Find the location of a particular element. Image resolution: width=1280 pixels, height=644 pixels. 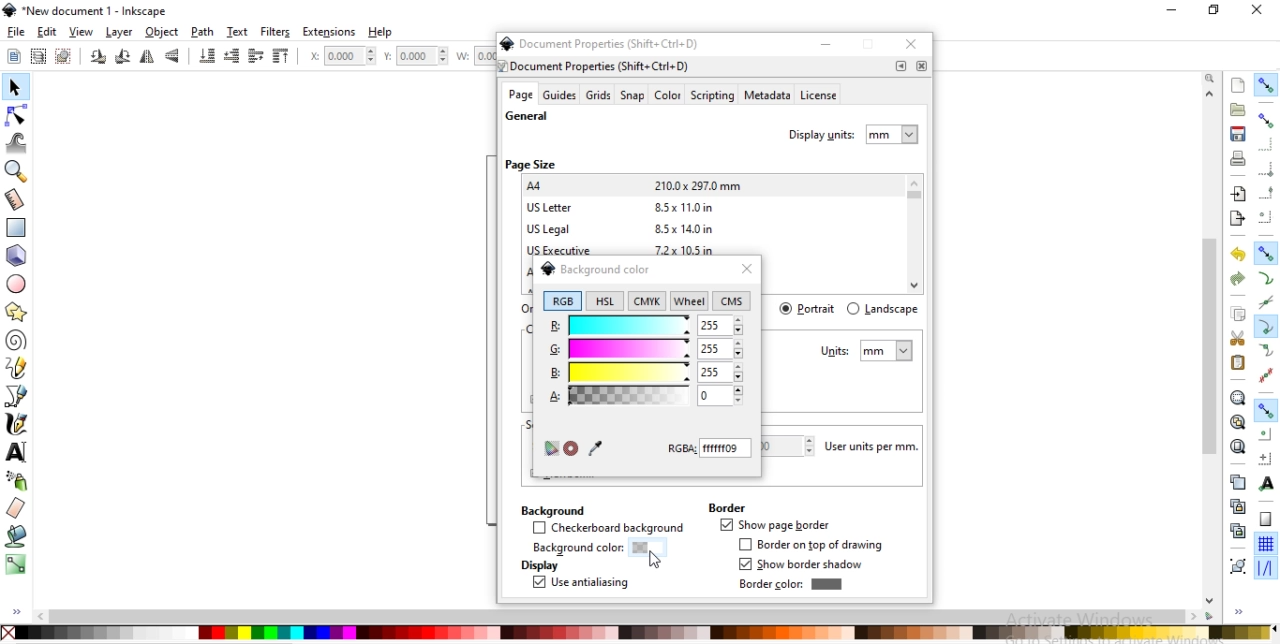

snap to edges of bounding box is located at coordinates (1267, 144).